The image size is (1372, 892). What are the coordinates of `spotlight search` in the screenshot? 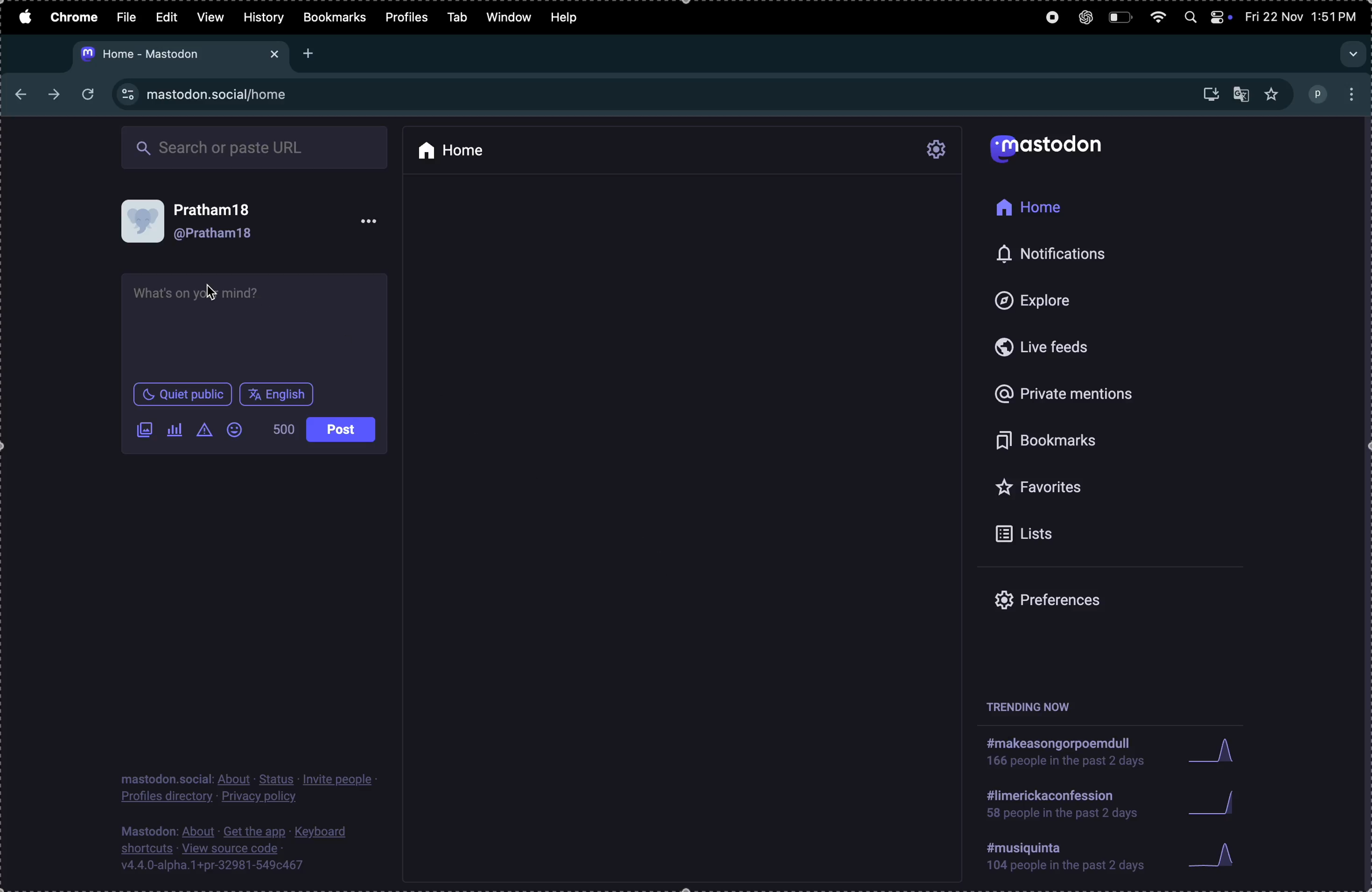 It's located at (1189, 18).